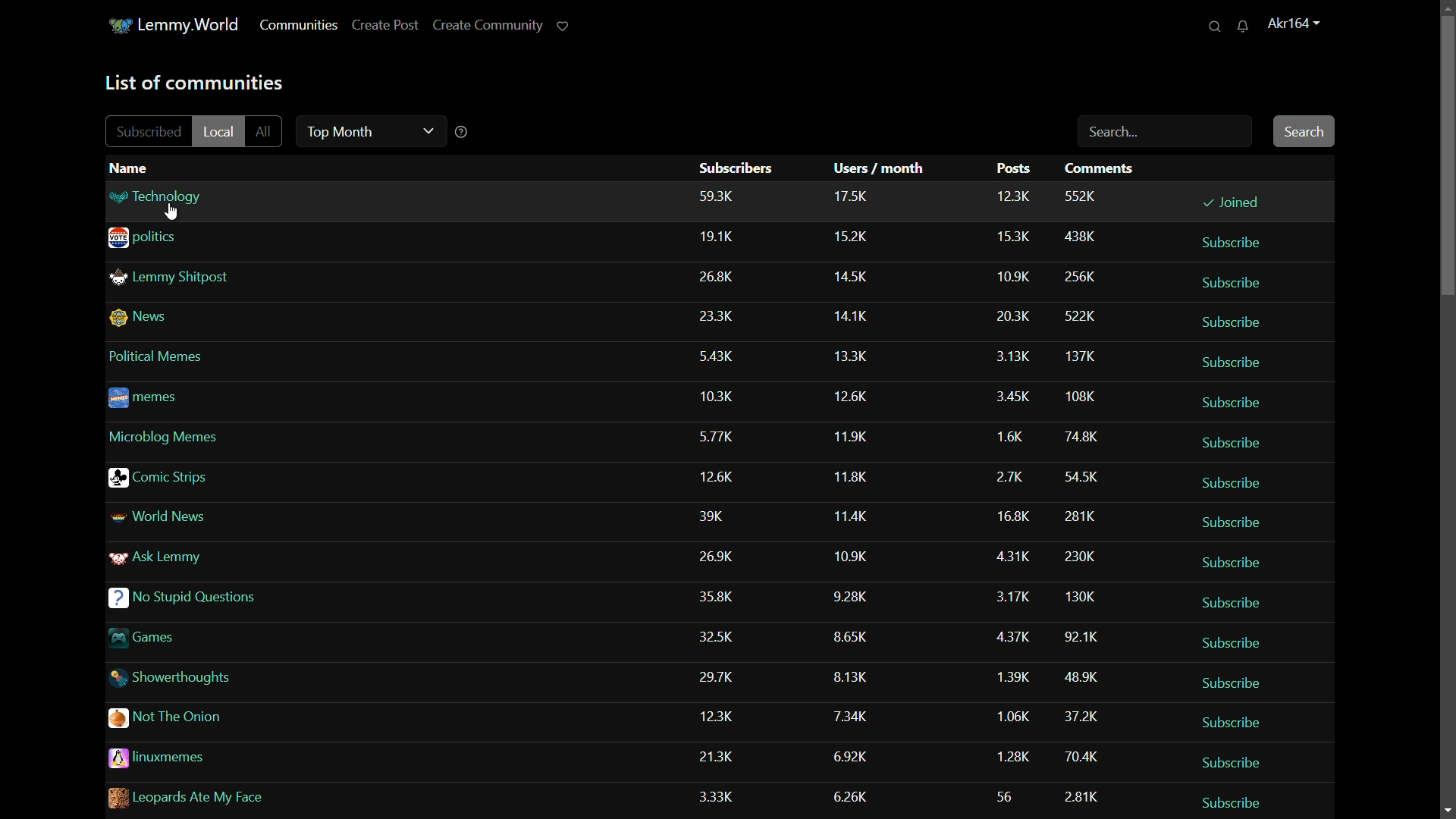 Image resolution: width=1456 pixels, height=819 pixels. I want to click on subscribe/unsubscribe, so click(1230, 802).